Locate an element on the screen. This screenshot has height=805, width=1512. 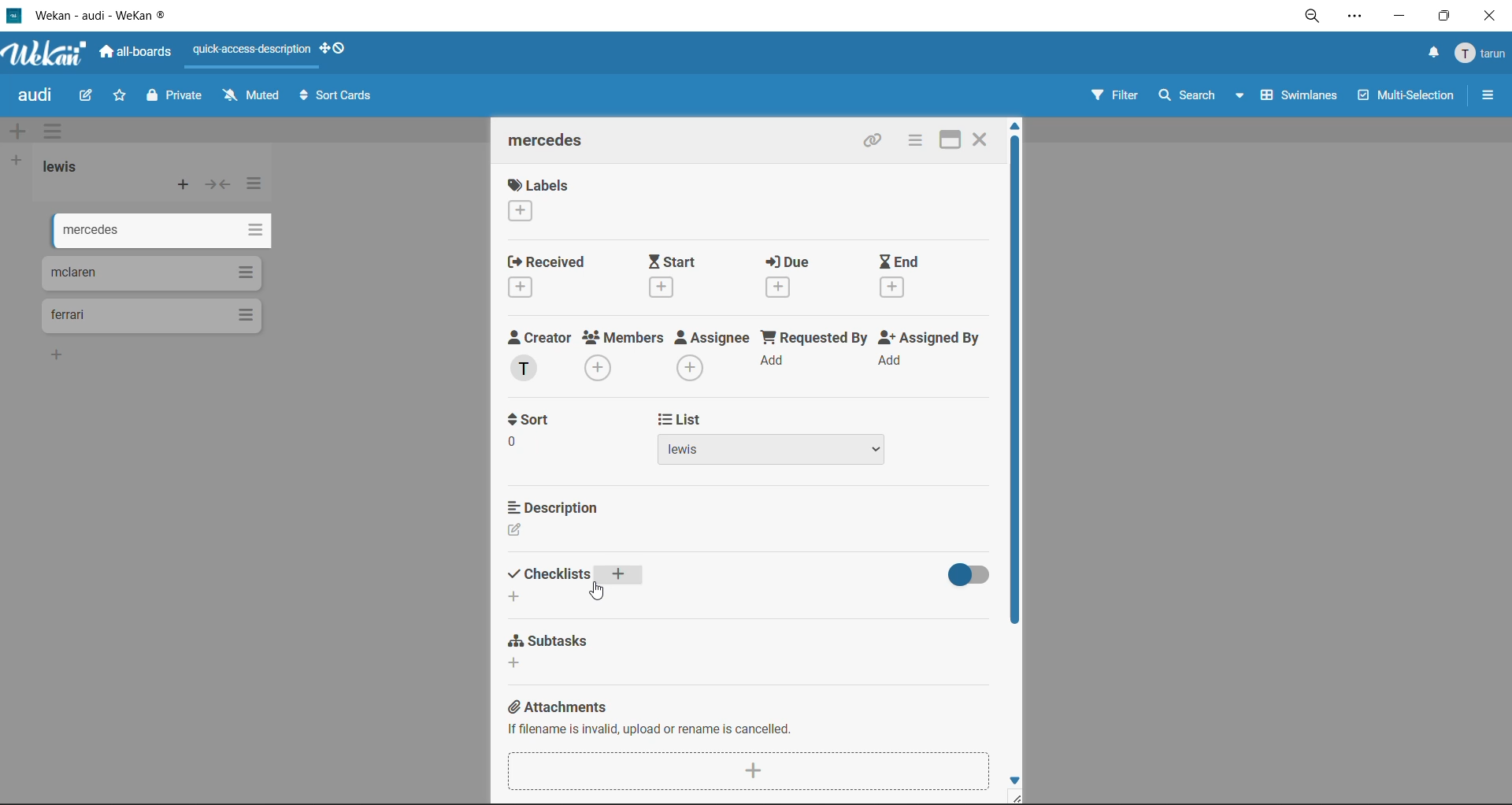
description is located at coordinates (551, 532).